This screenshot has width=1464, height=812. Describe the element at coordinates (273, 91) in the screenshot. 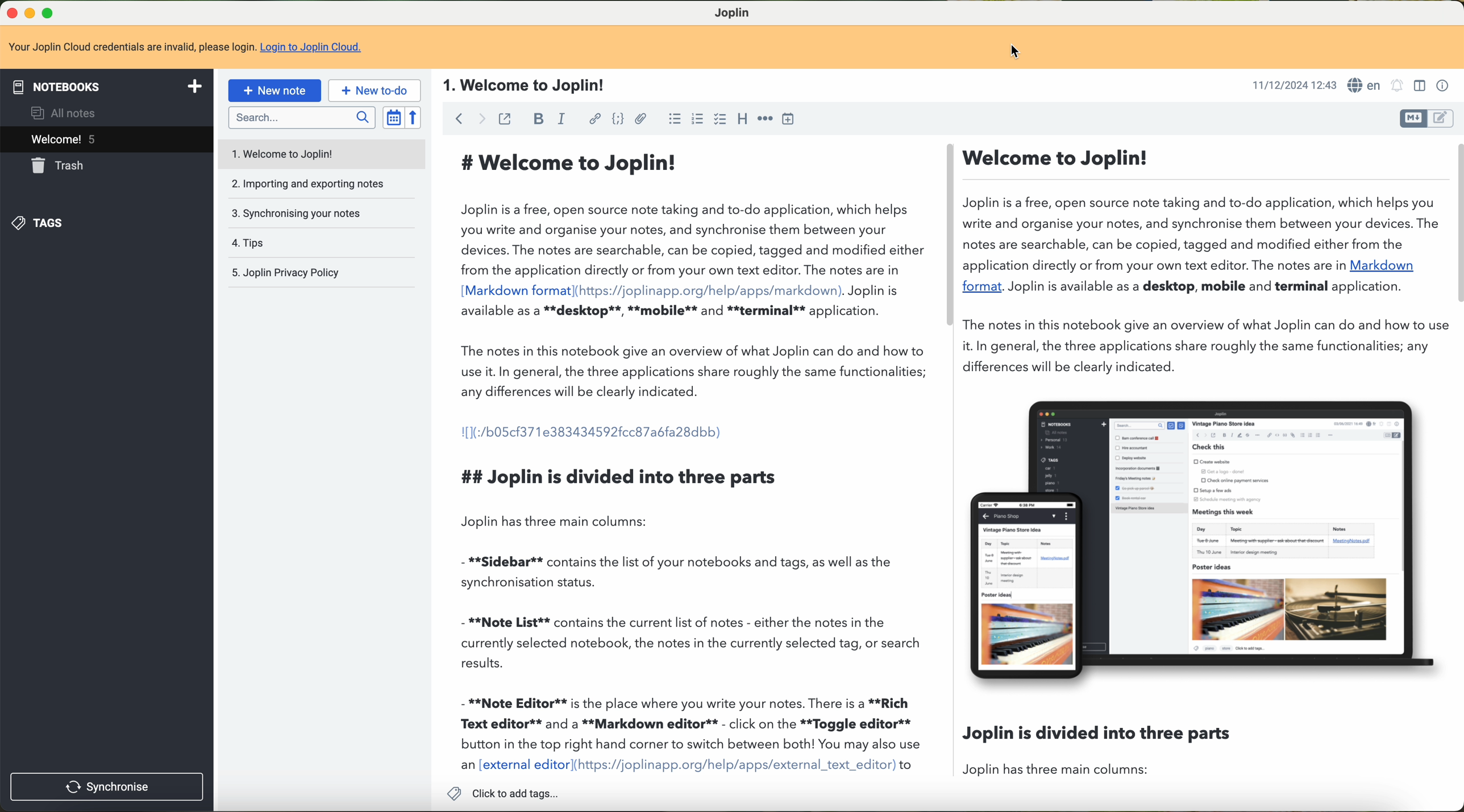

I see `new note` at that location.